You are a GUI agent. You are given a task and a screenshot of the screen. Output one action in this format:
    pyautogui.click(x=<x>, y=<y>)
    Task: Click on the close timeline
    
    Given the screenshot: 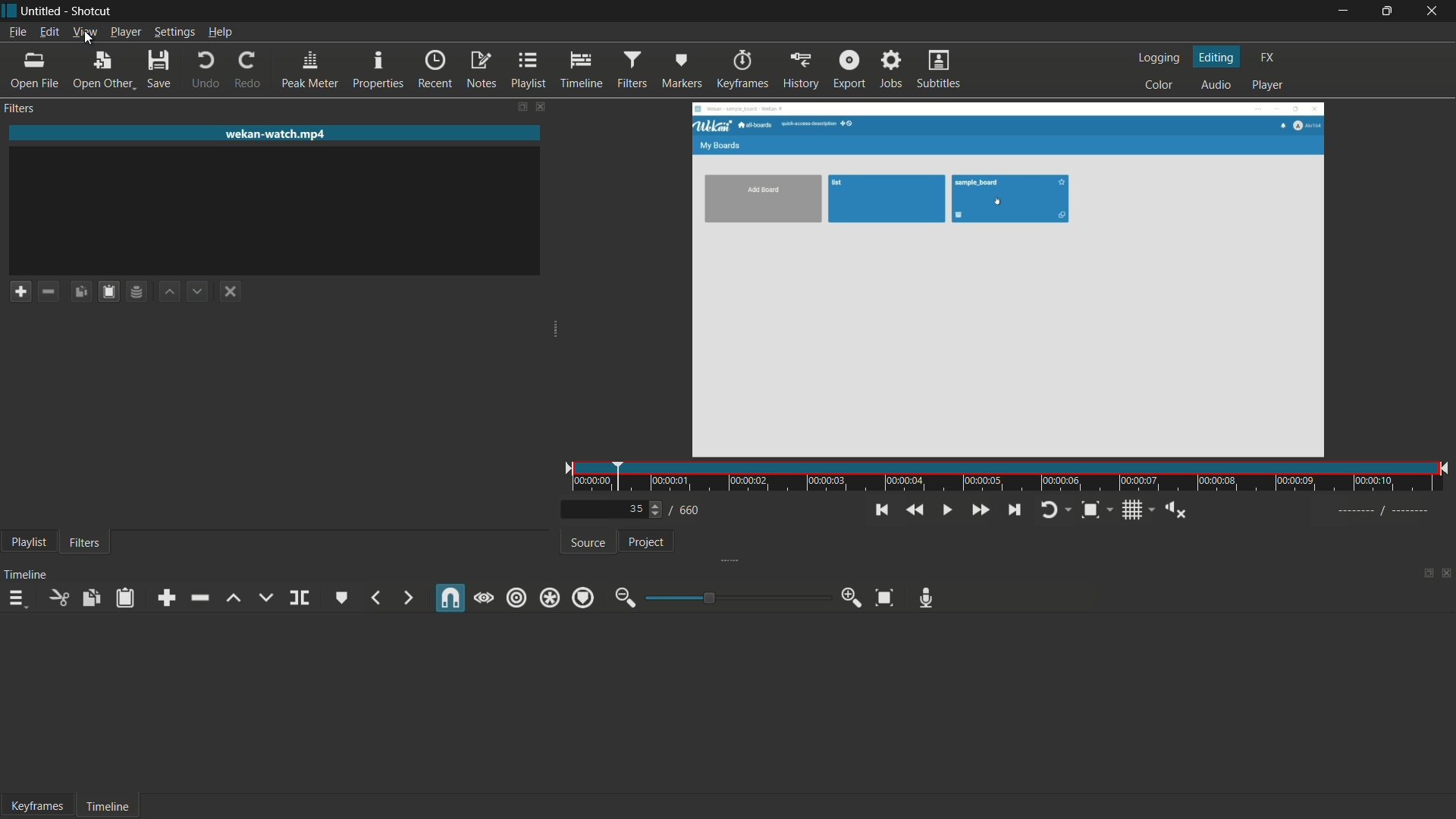 What is the action you would take?
    pyautogui.click(x=1447, y=573)
    